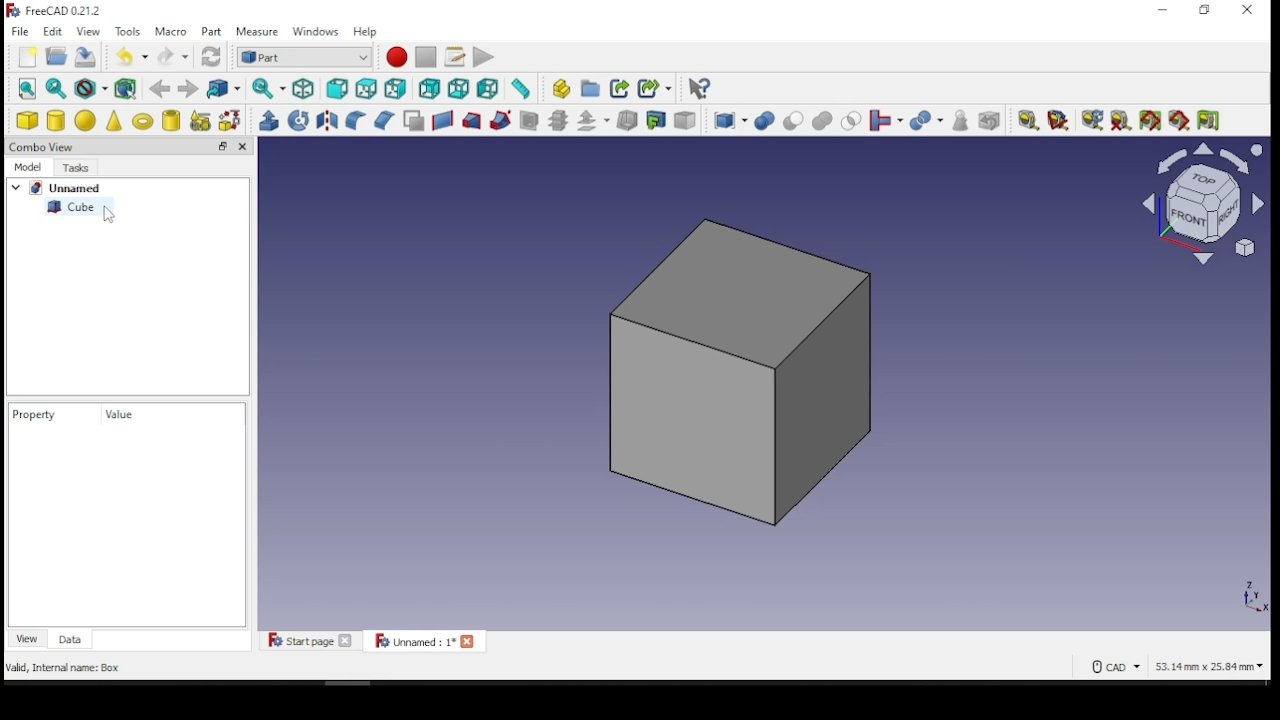 The height and width of the screenshot is (720, 1280). Describe the element at coordinates (990, 121) in the screenshot. I see `defeaturing` at that location.